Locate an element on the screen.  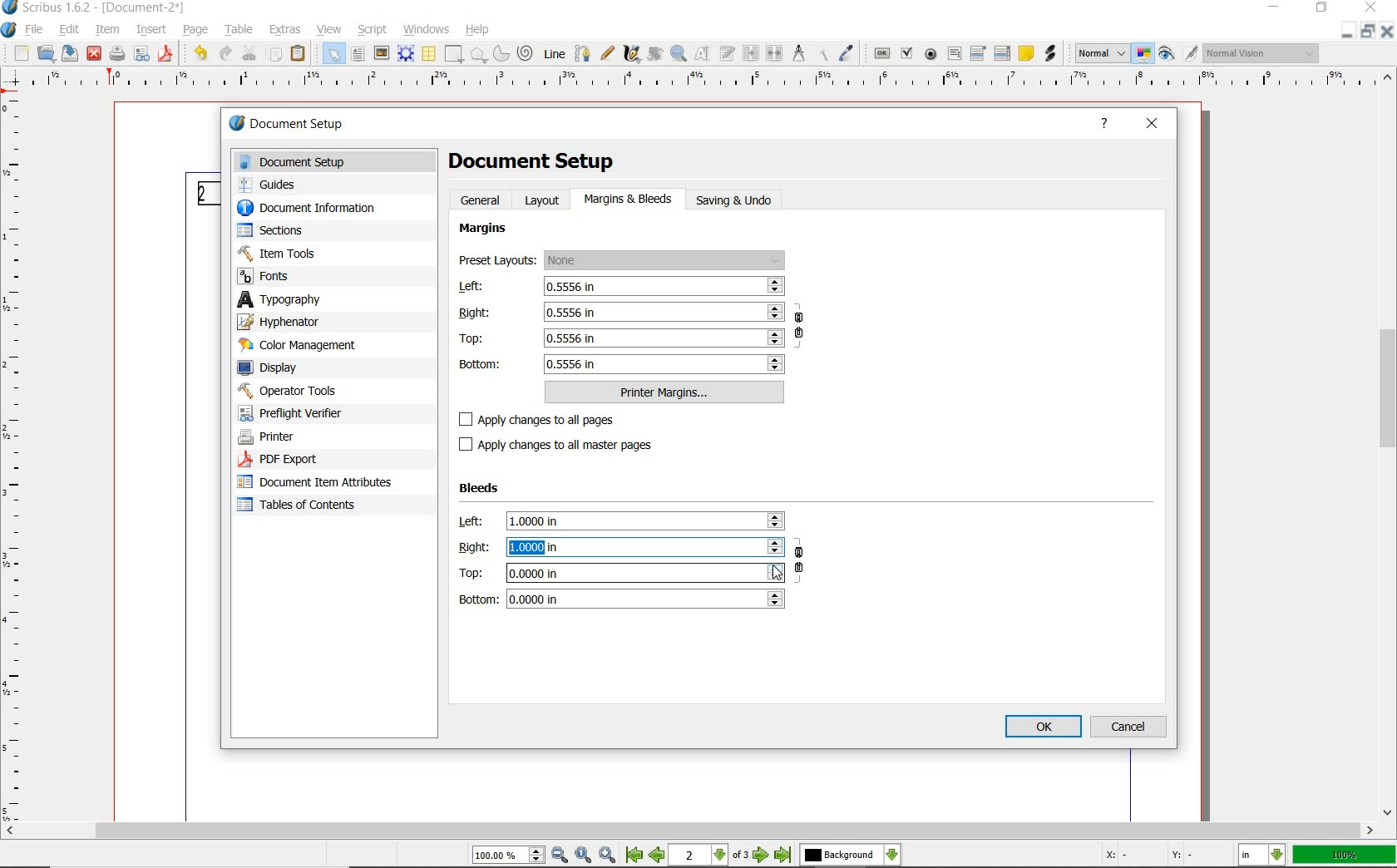
ok is located at coordinates (1043, 726).